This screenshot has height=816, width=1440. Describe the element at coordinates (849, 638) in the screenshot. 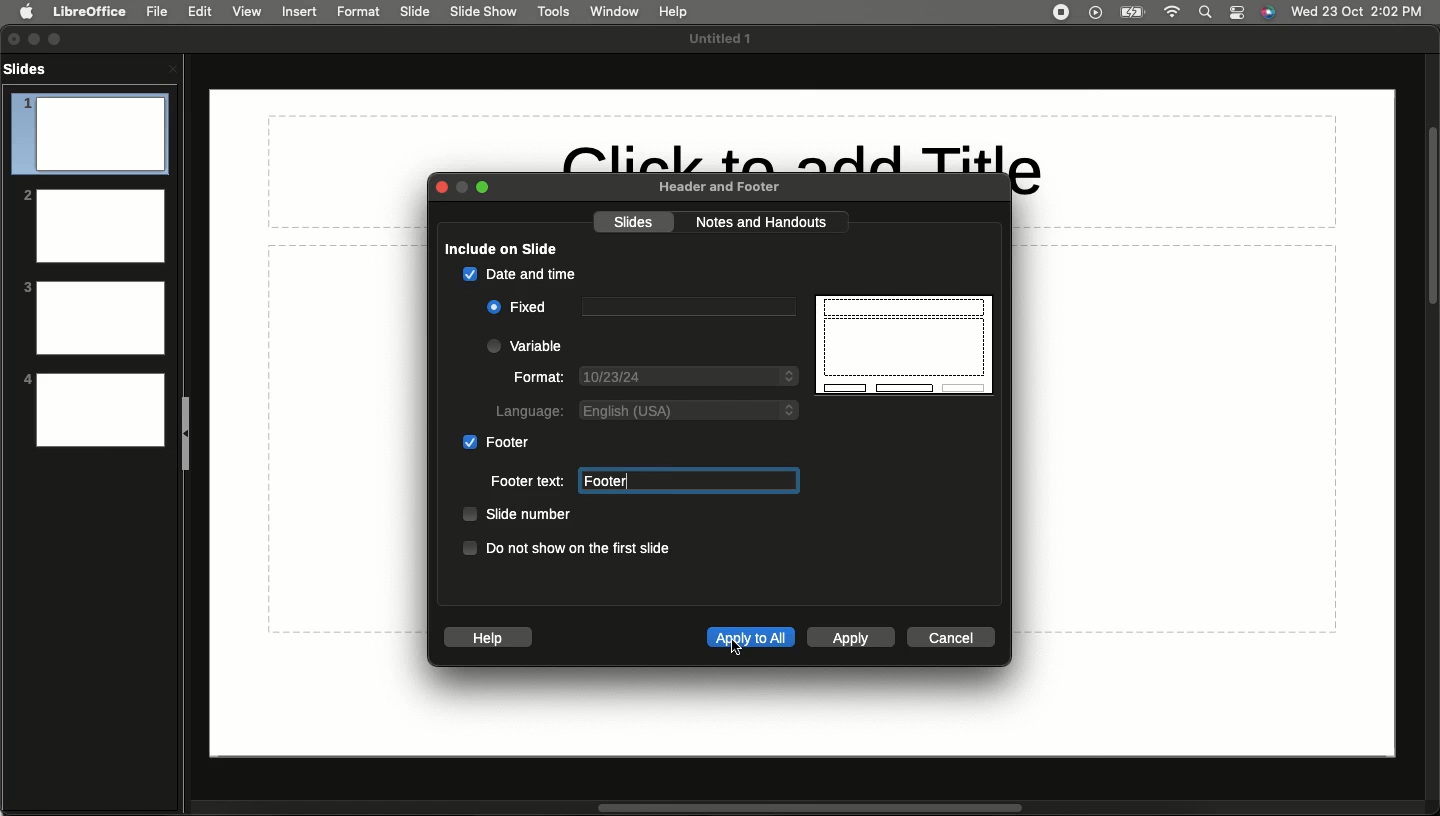

I see `Apply` at that location.